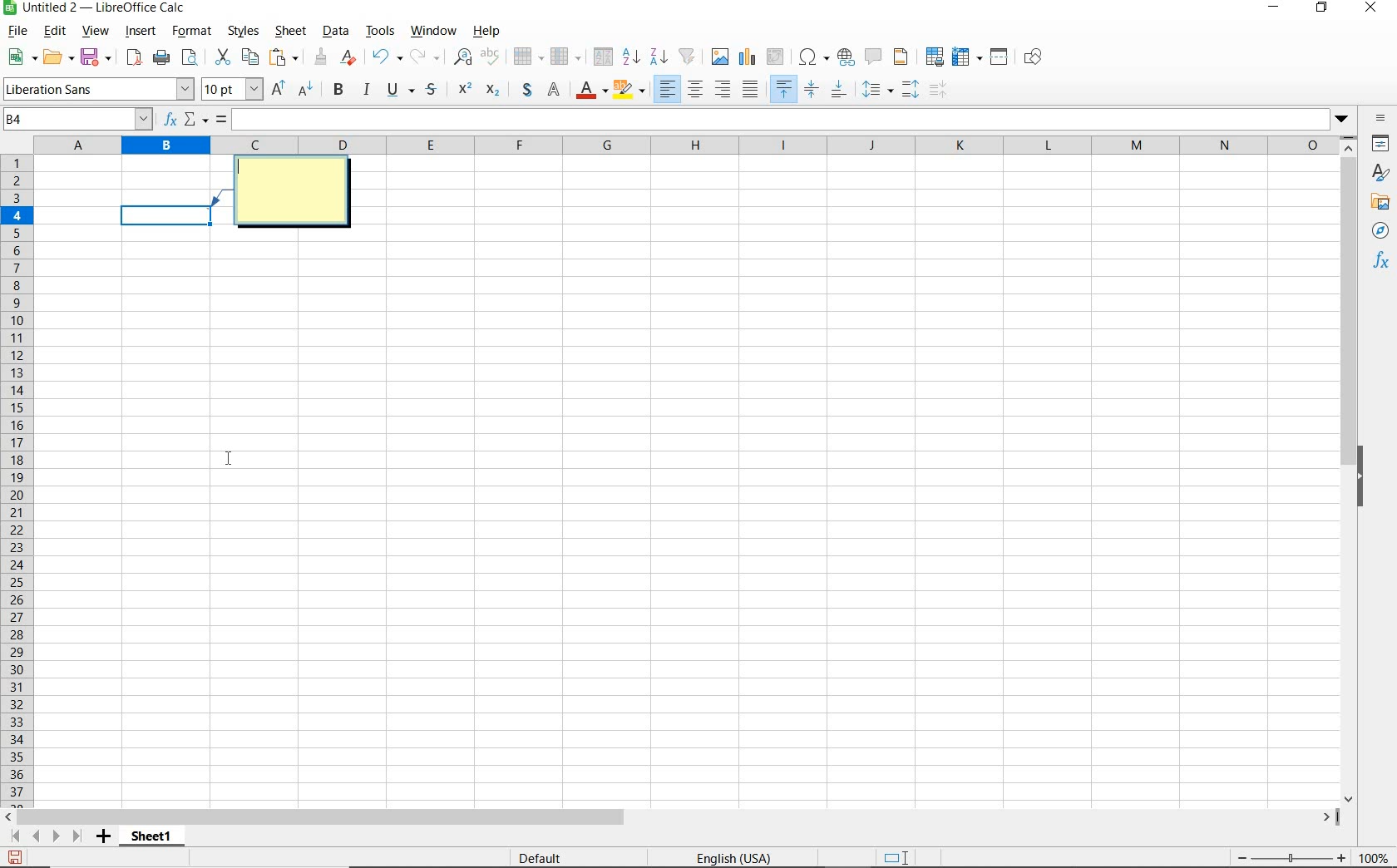 Image resolution: width=1397 pixels, height=868 pixels. I want to click on increasing or decreasing spacing before/after a paragraph., so click(937, 90).